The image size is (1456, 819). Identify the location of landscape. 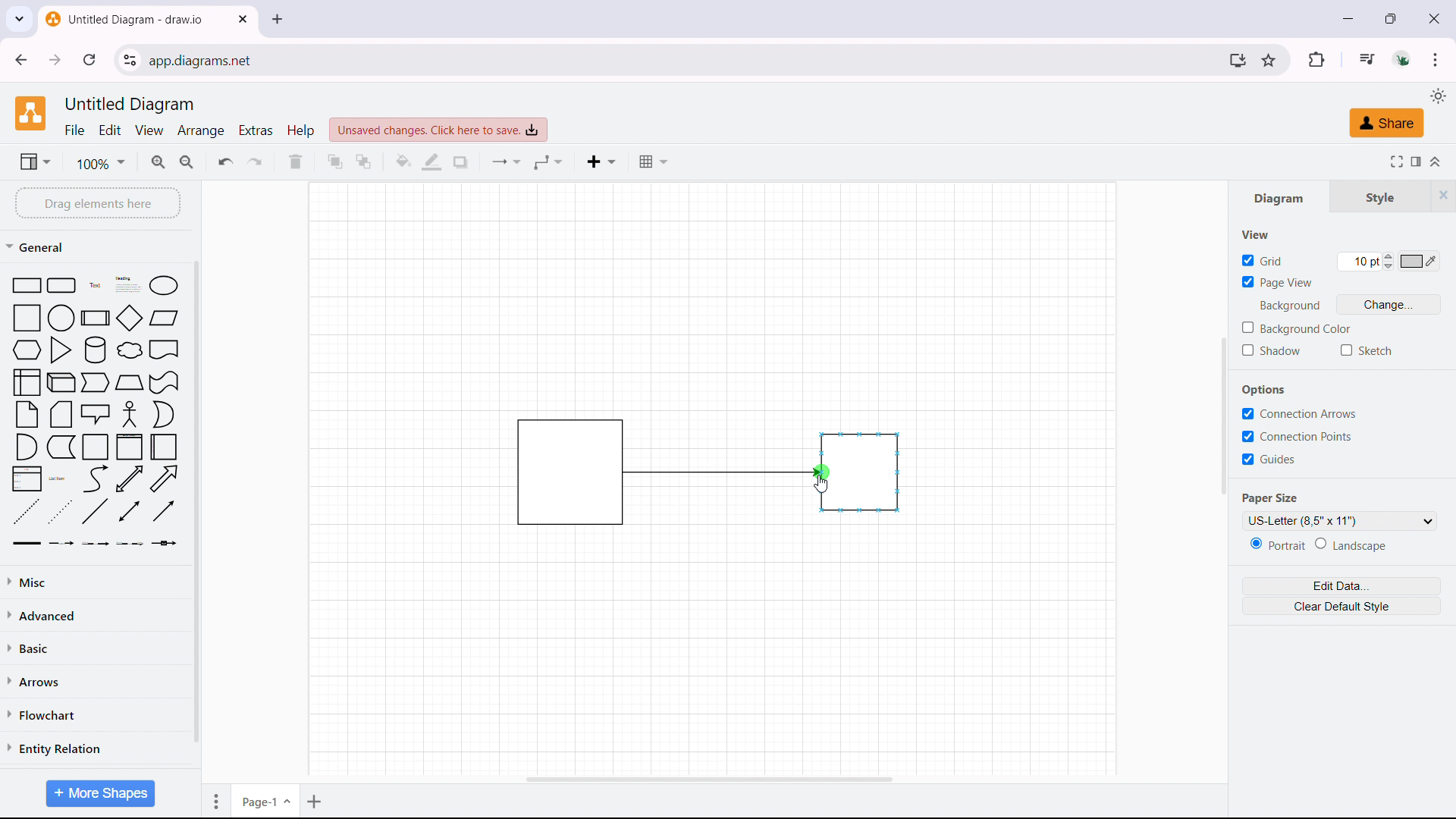
(1354, 544).